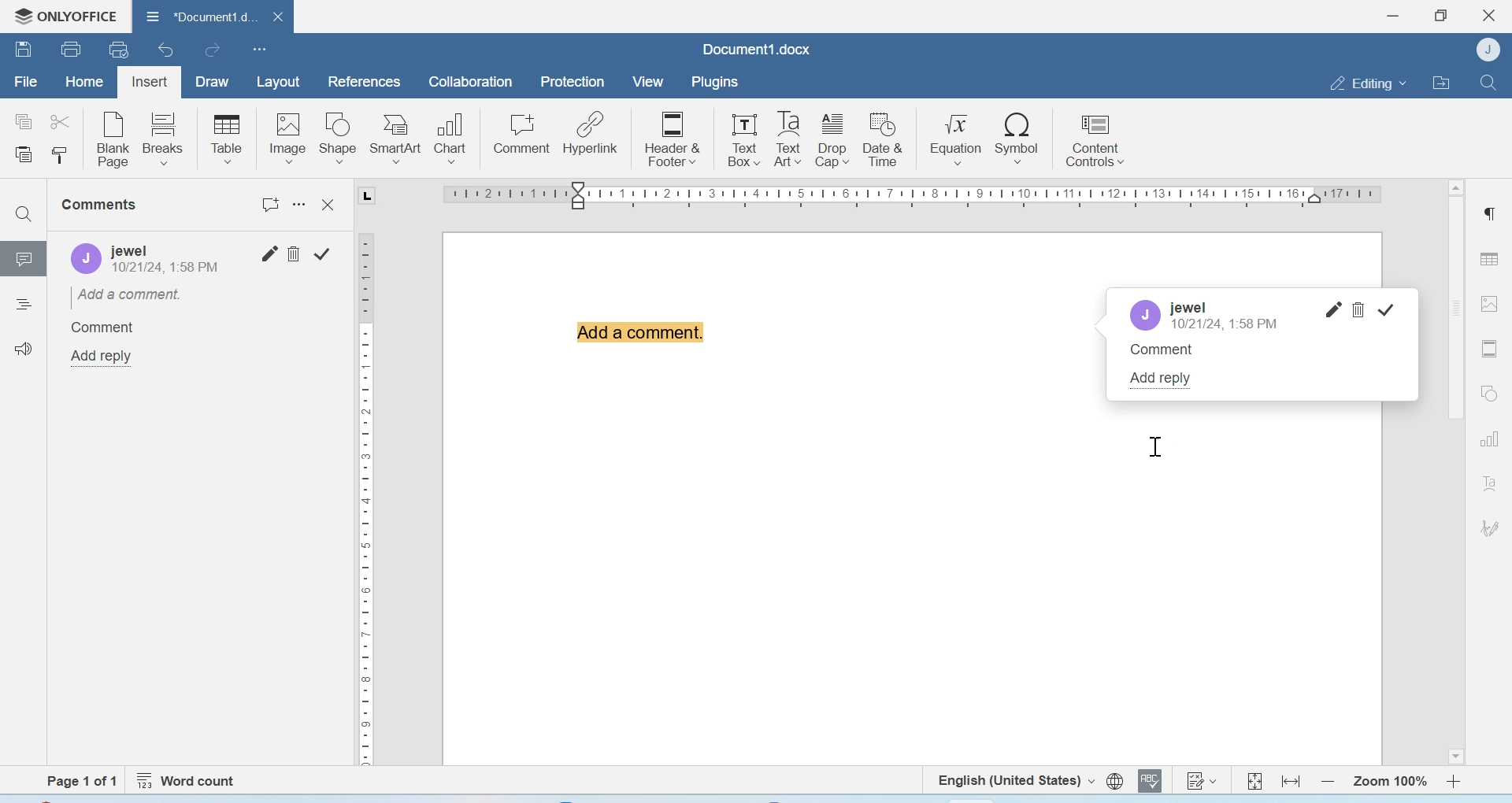 The width and height of the screenshot is (1512, 803). I want to click on Track changes, so click(1200, 780).